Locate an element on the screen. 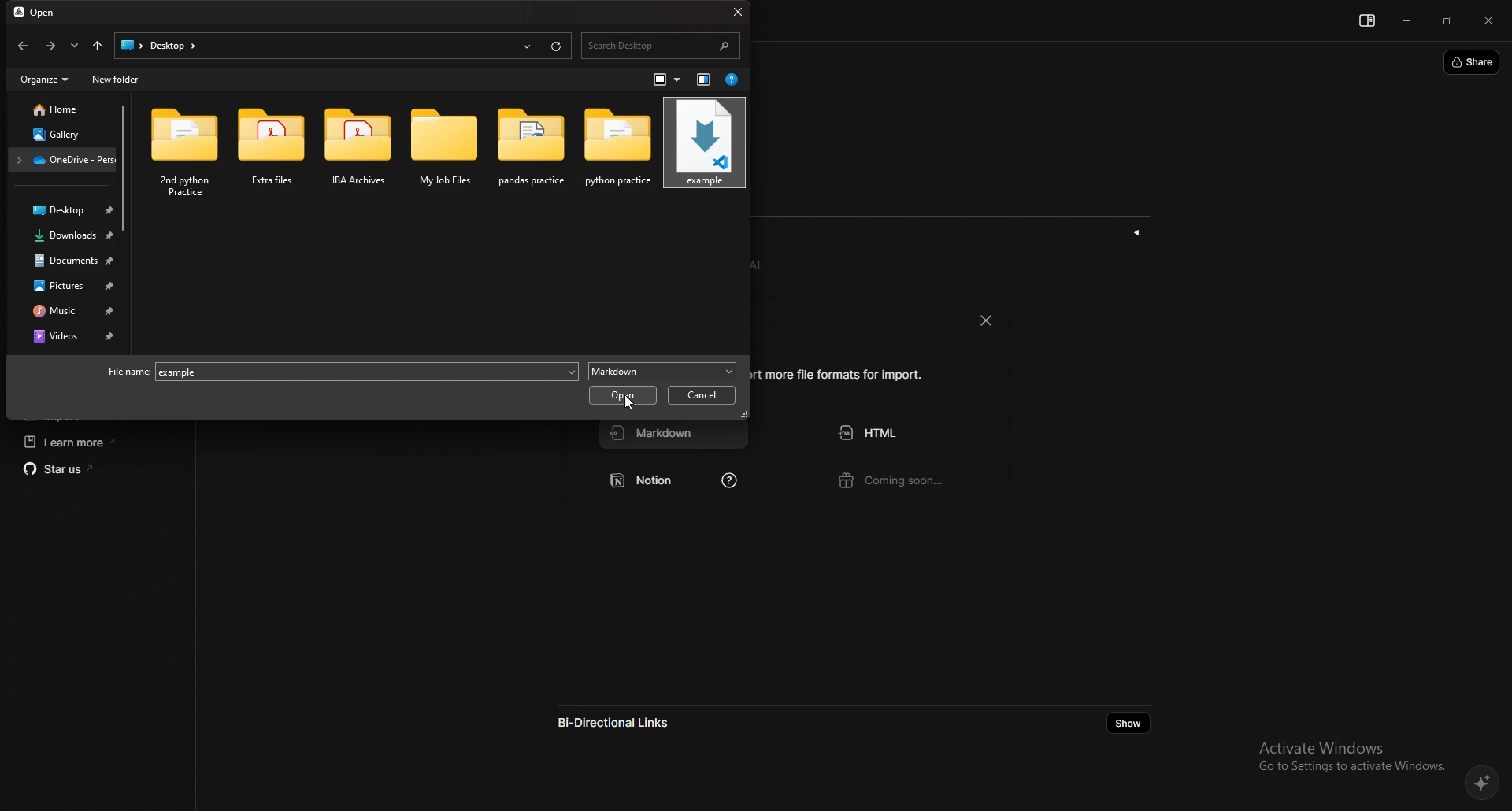 The height and width of the screenshot is (811, 1512). notion is located at coordinates (654, 483).